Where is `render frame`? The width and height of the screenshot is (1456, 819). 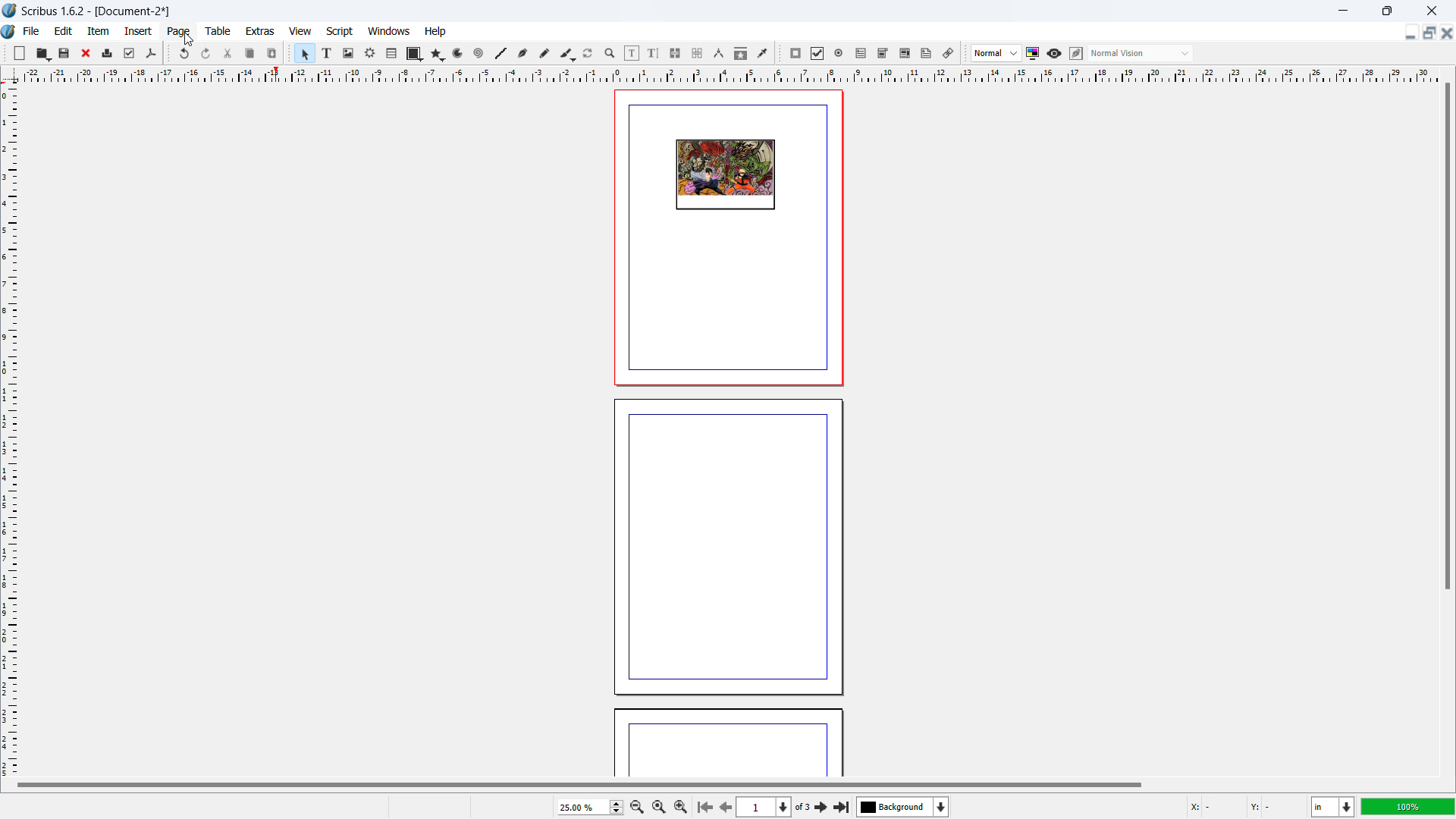 render frame is located at coordinates (370, 53).